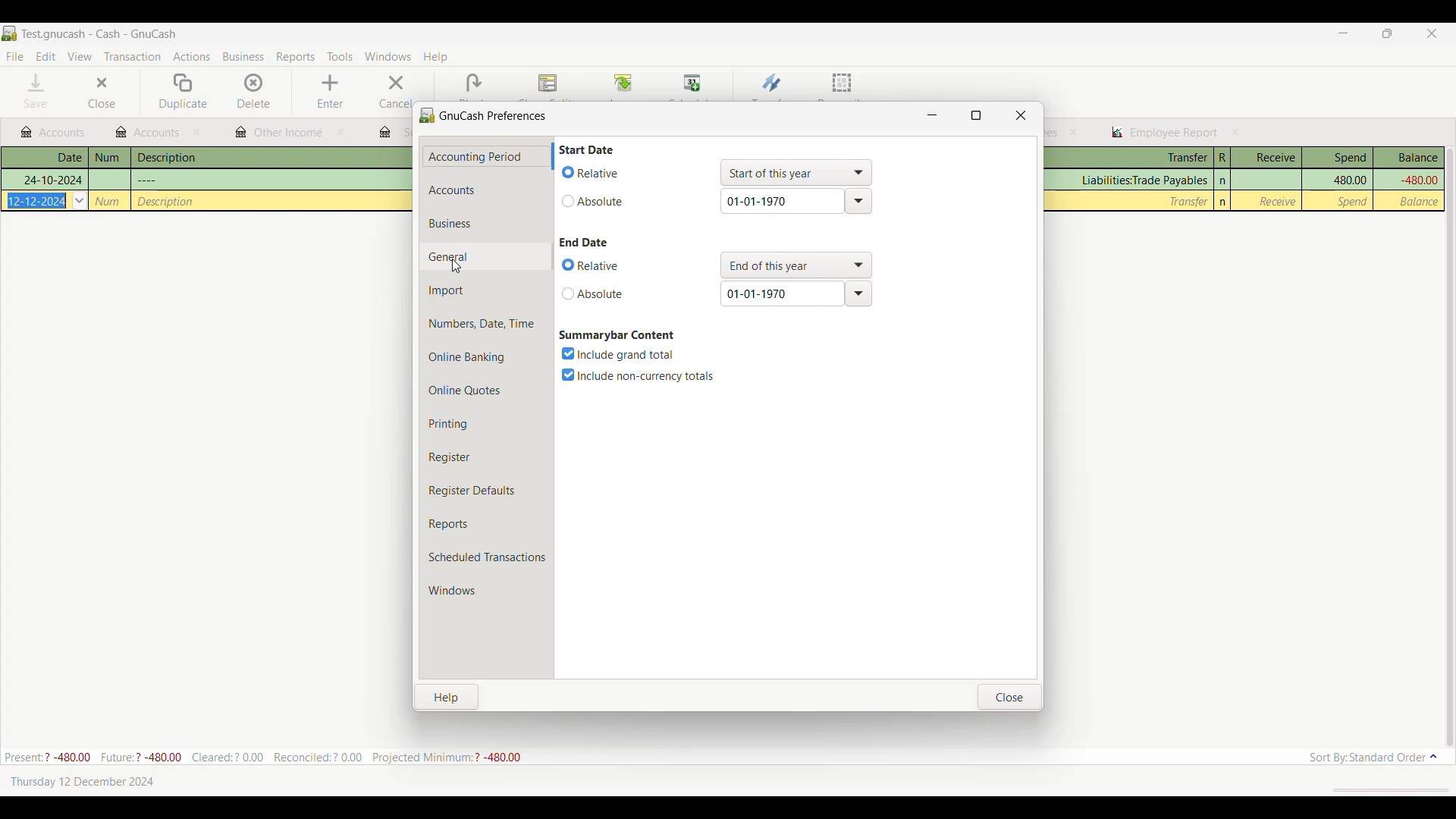 The image size is (1456, 819). What do you see at coordinates (782, 293) in the screenshot?
I see `Text box to type in date` at bounding box center [782, 293].